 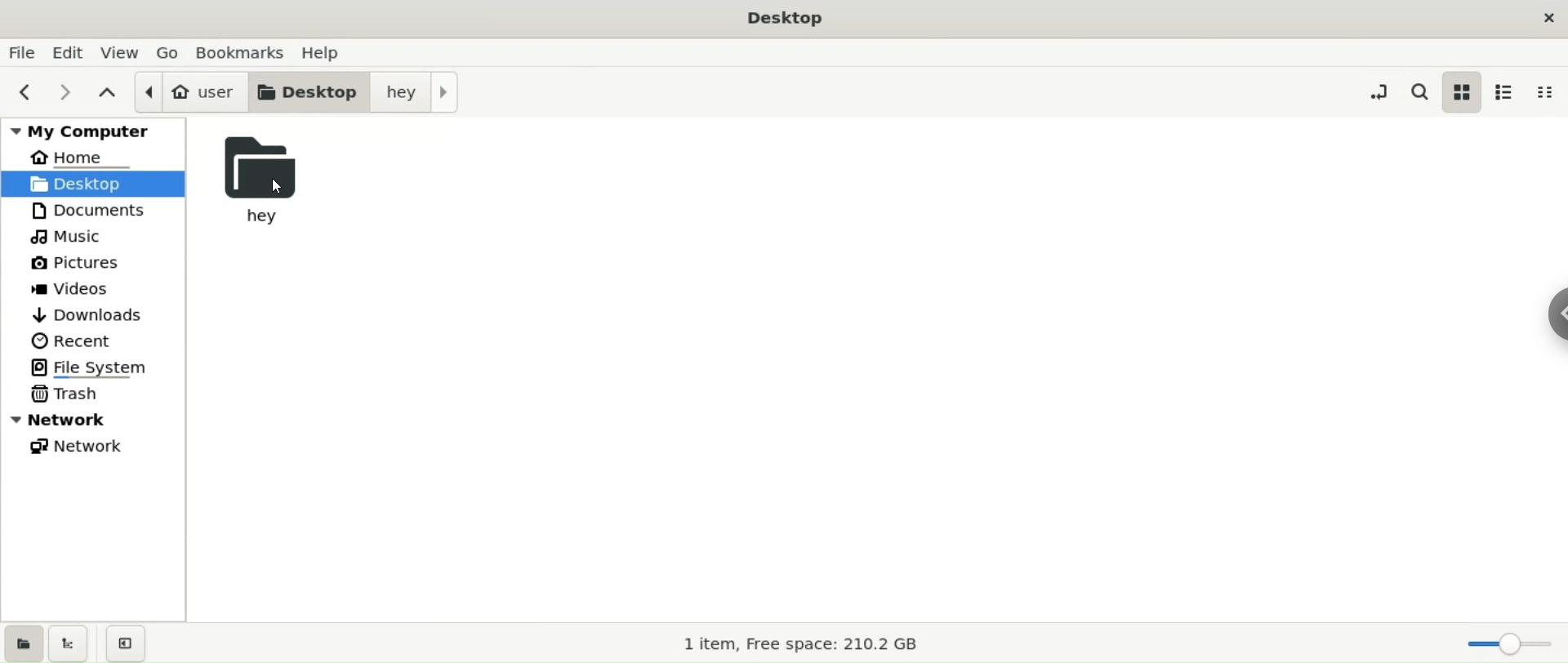 What do you see at coordinates (1546, 91) in the screenshot?
I see `compact view` at bounding box center [1546, 91].